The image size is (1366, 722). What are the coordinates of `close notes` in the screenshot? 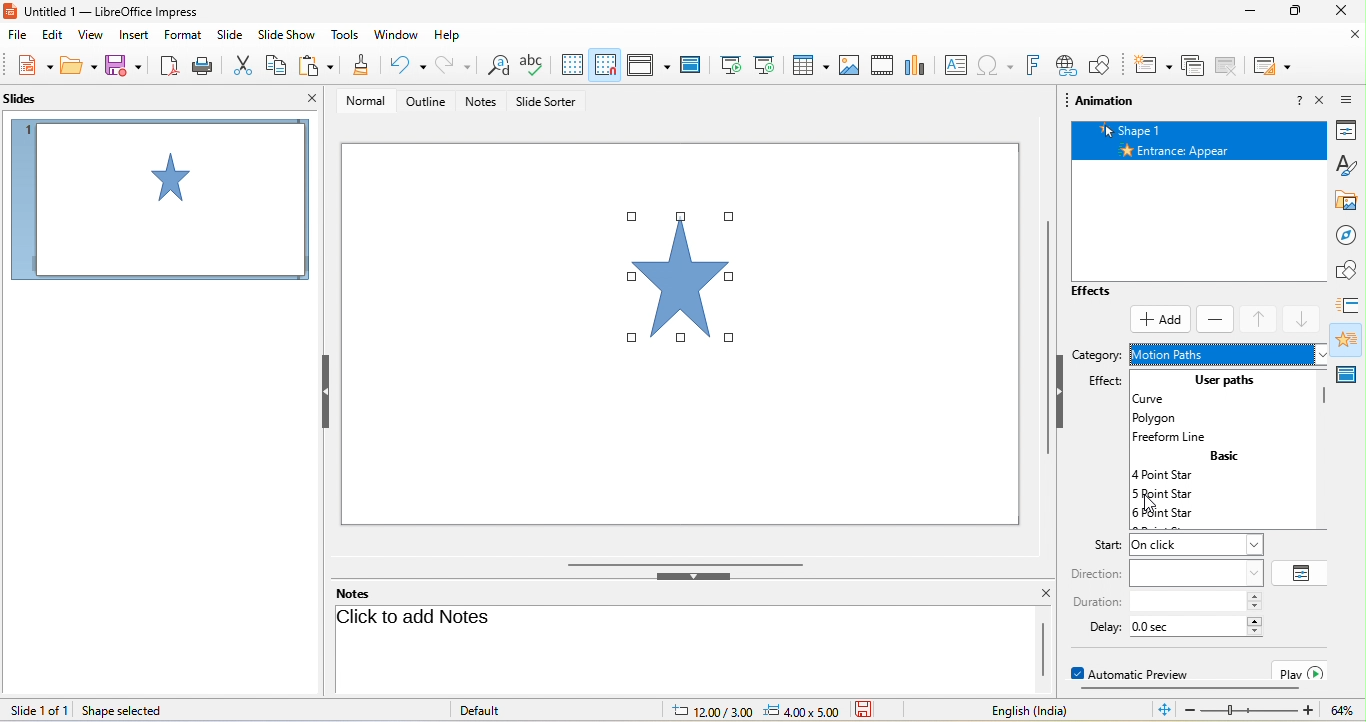 It's located at (1046, 594).